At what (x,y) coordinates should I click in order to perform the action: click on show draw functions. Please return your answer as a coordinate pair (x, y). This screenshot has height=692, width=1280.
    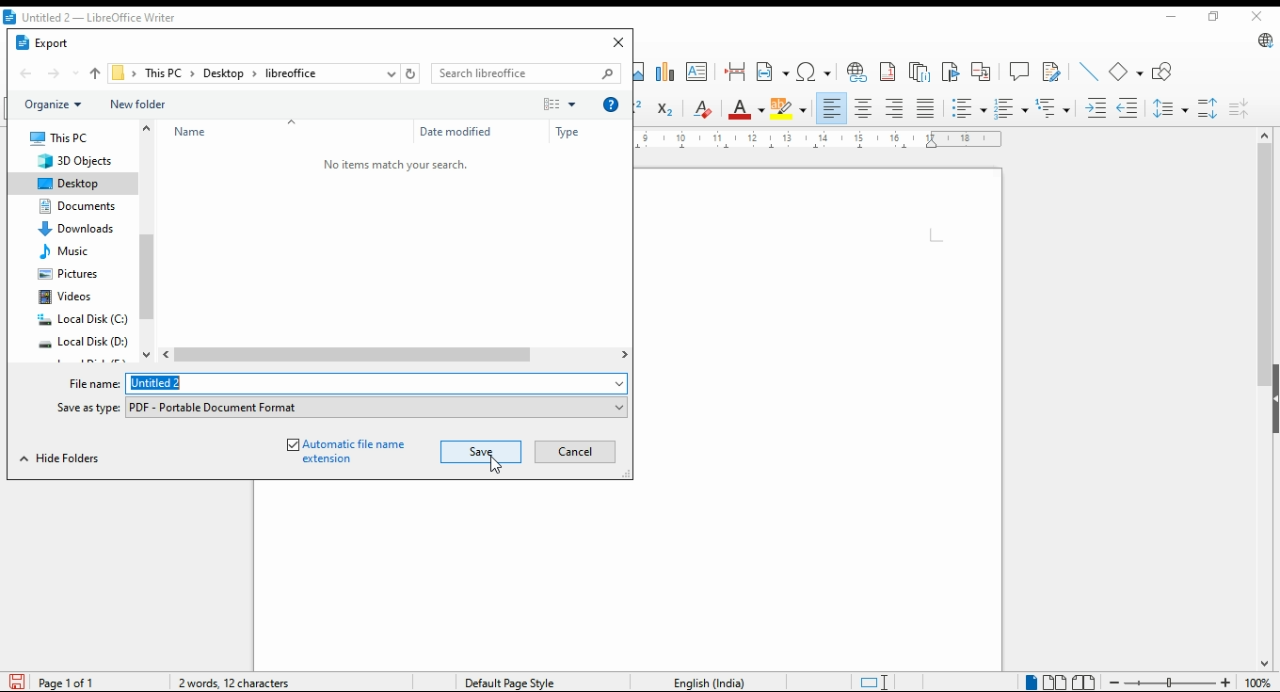
    Looking at the image, I should click on (1163, 70).